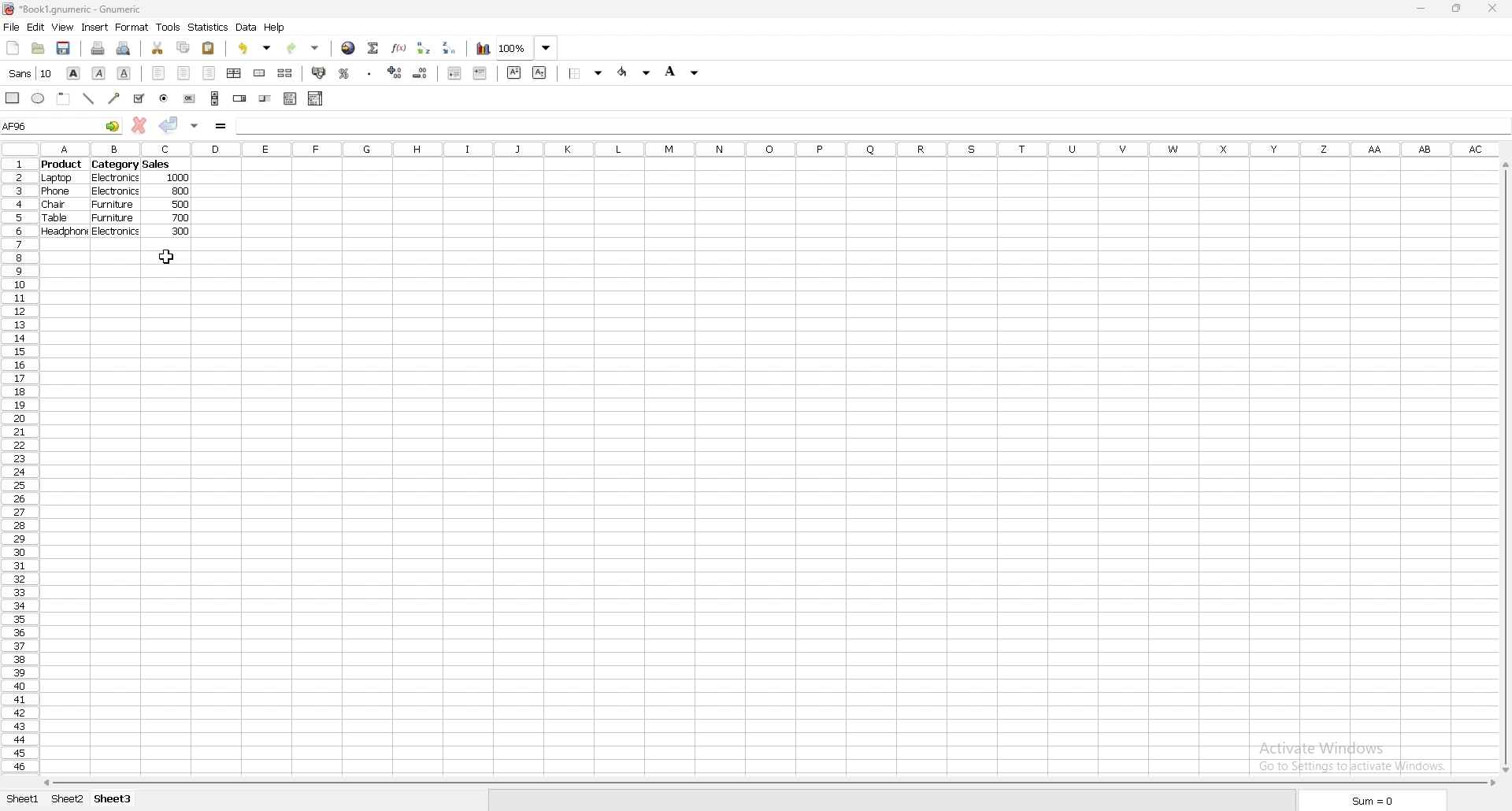 Image resolution: width=1512 pixels, height=811 pixels. What do you see at coordinates (159, 48) in the screenshot?
I see `cut` at bounding box center [159, 48].